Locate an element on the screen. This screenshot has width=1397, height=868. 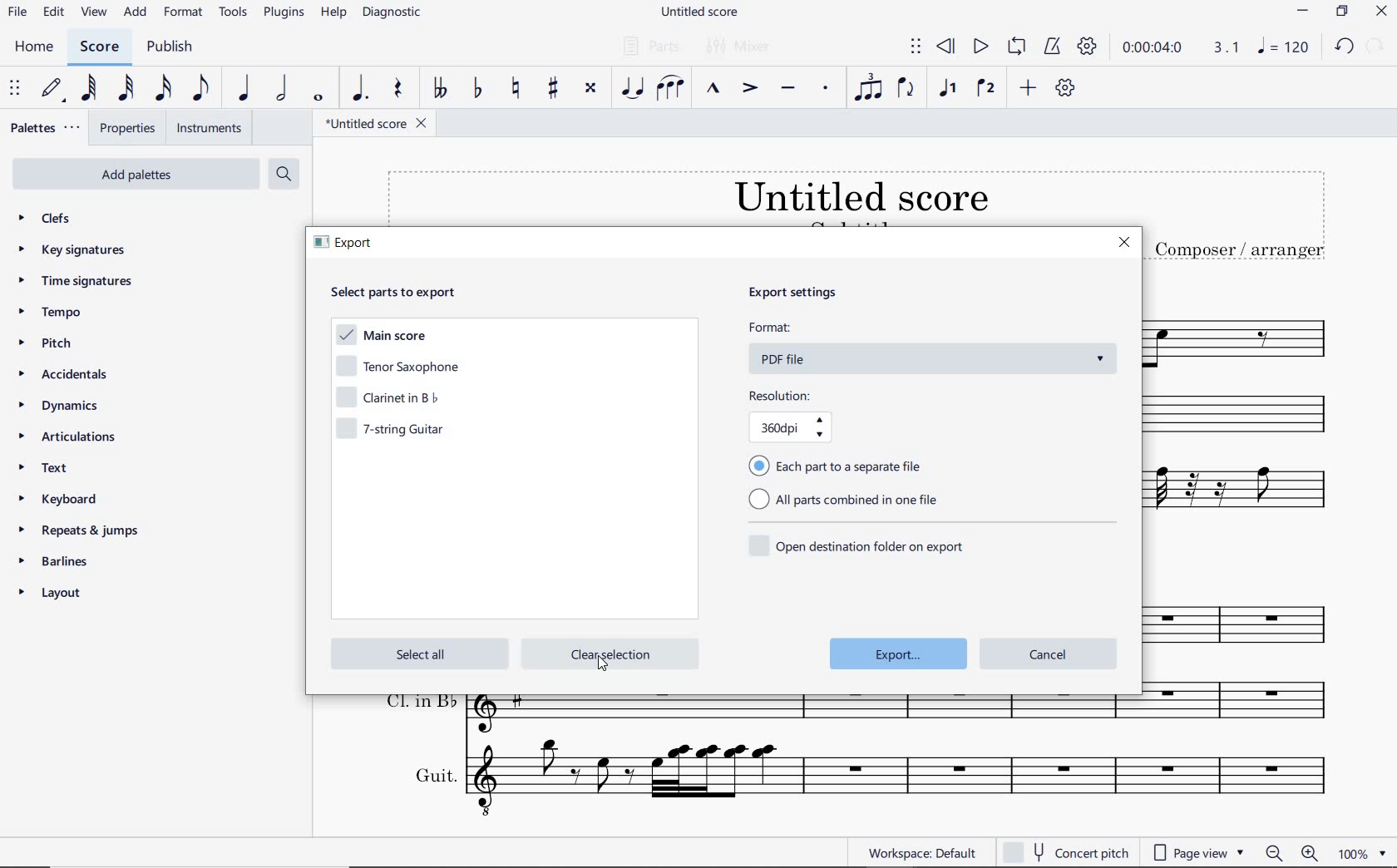
select parts to export is located at coordinates (404, 292).